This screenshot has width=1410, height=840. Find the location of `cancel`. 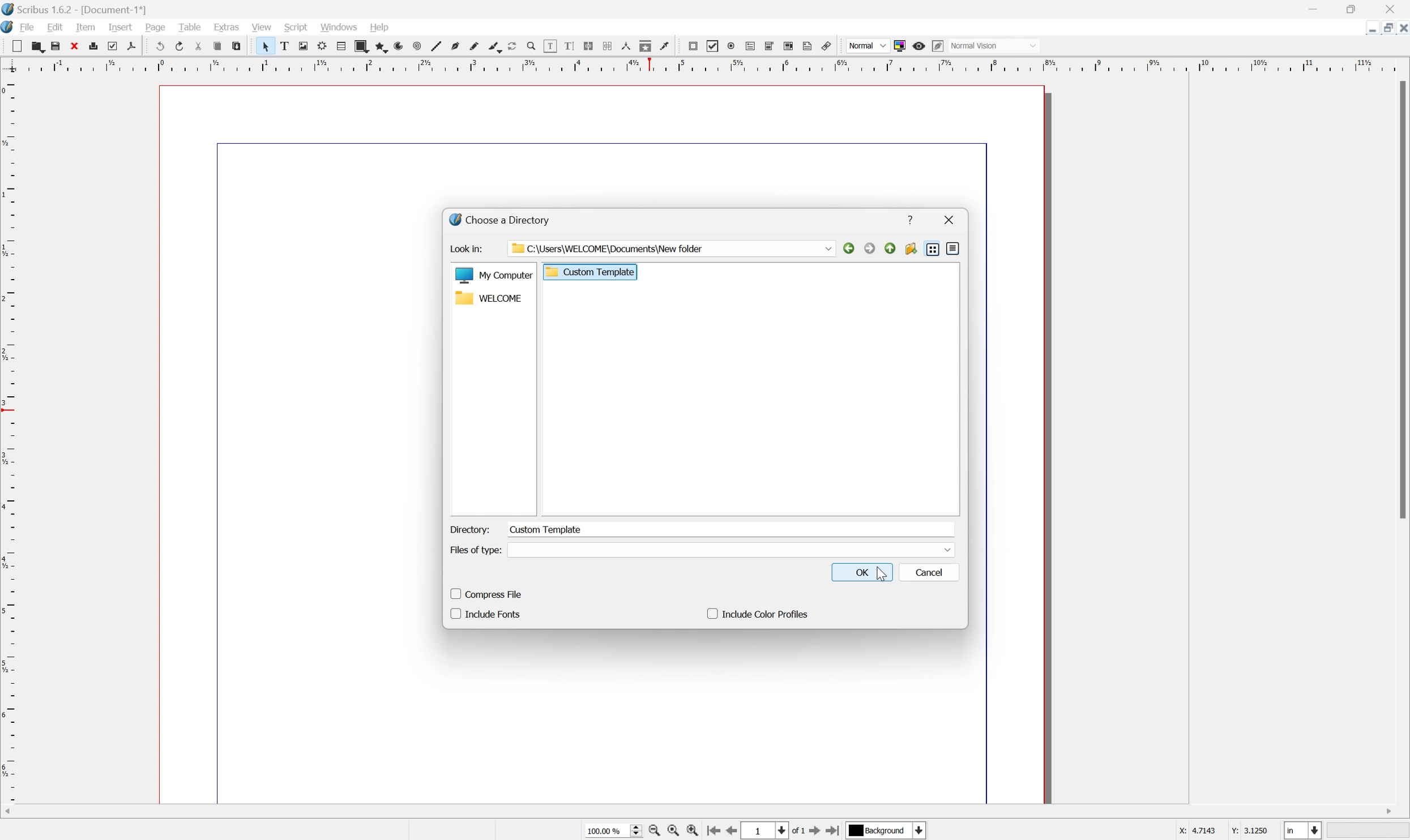

cancel is located at coordinates (933, 572).